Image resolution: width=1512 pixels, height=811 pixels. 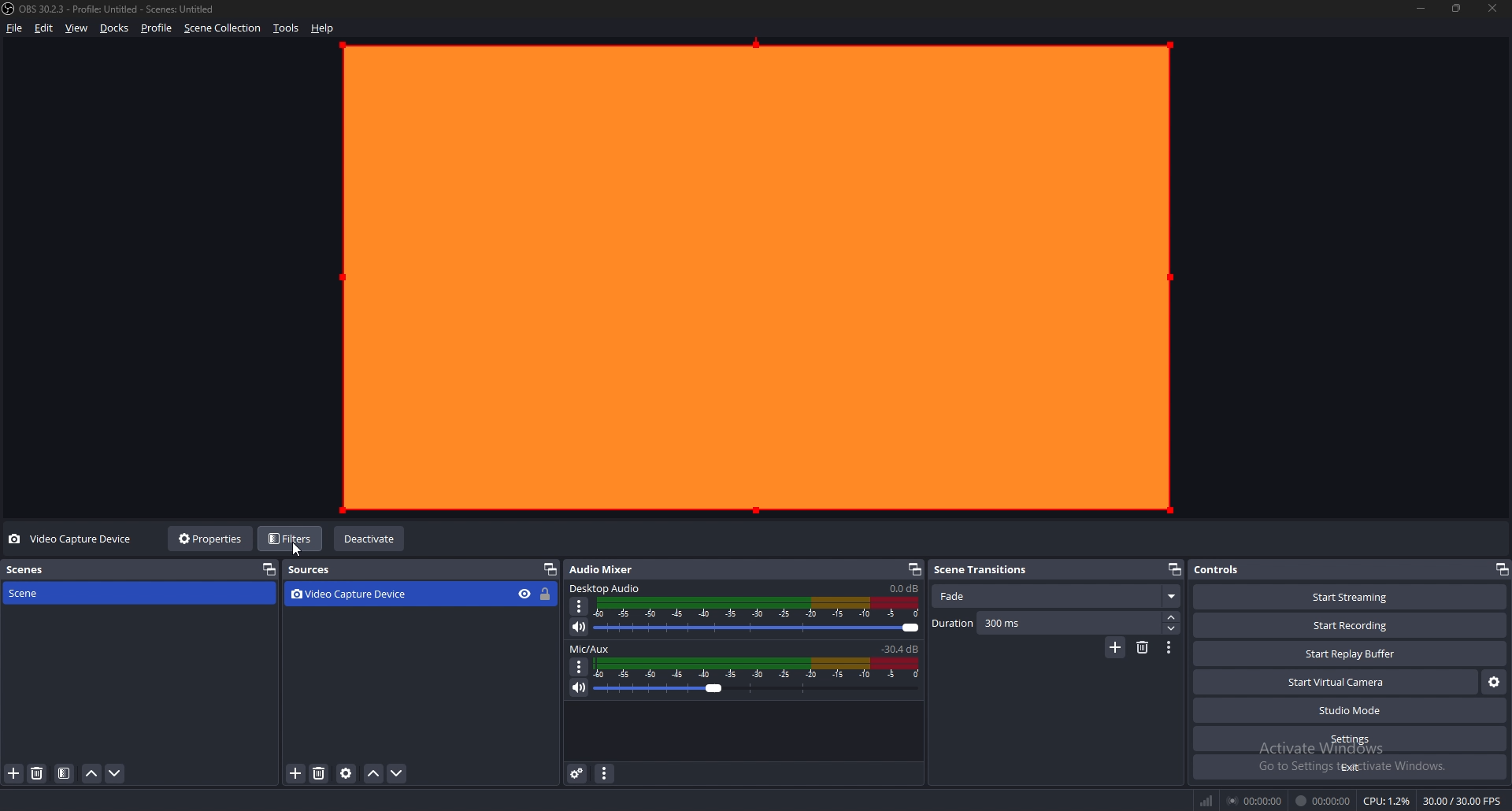 I want to click on mix/aux, so click(x=591, y=650).